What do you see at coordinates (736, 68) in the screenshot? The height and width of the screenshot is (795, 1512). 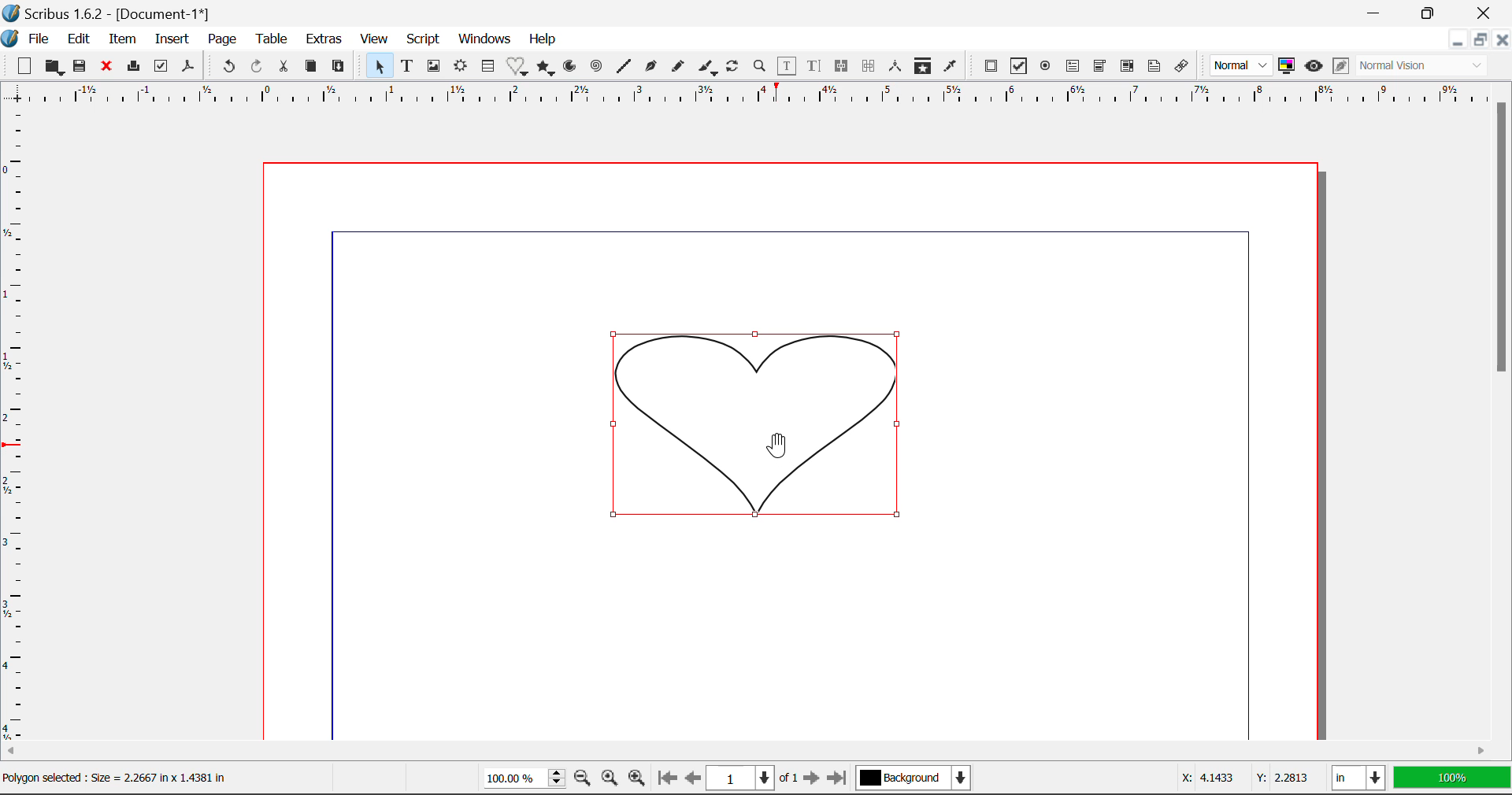 I see `Refresh` at bounding box center [736, 68].